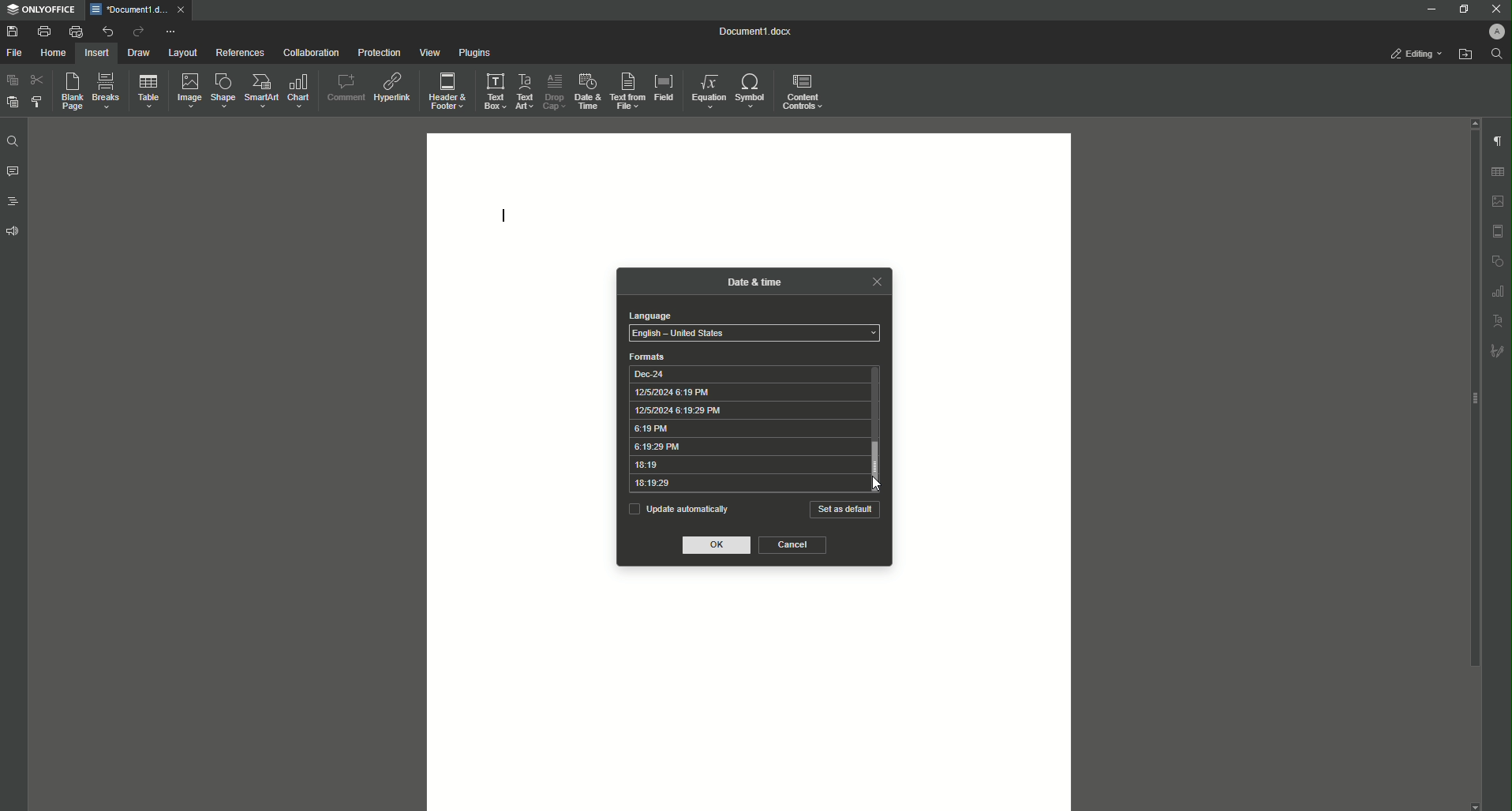 This screenshot has height=811, width=1512. Describe the element at coordinates (877, 483) in the screenshot. I see `Cursor` at that location.